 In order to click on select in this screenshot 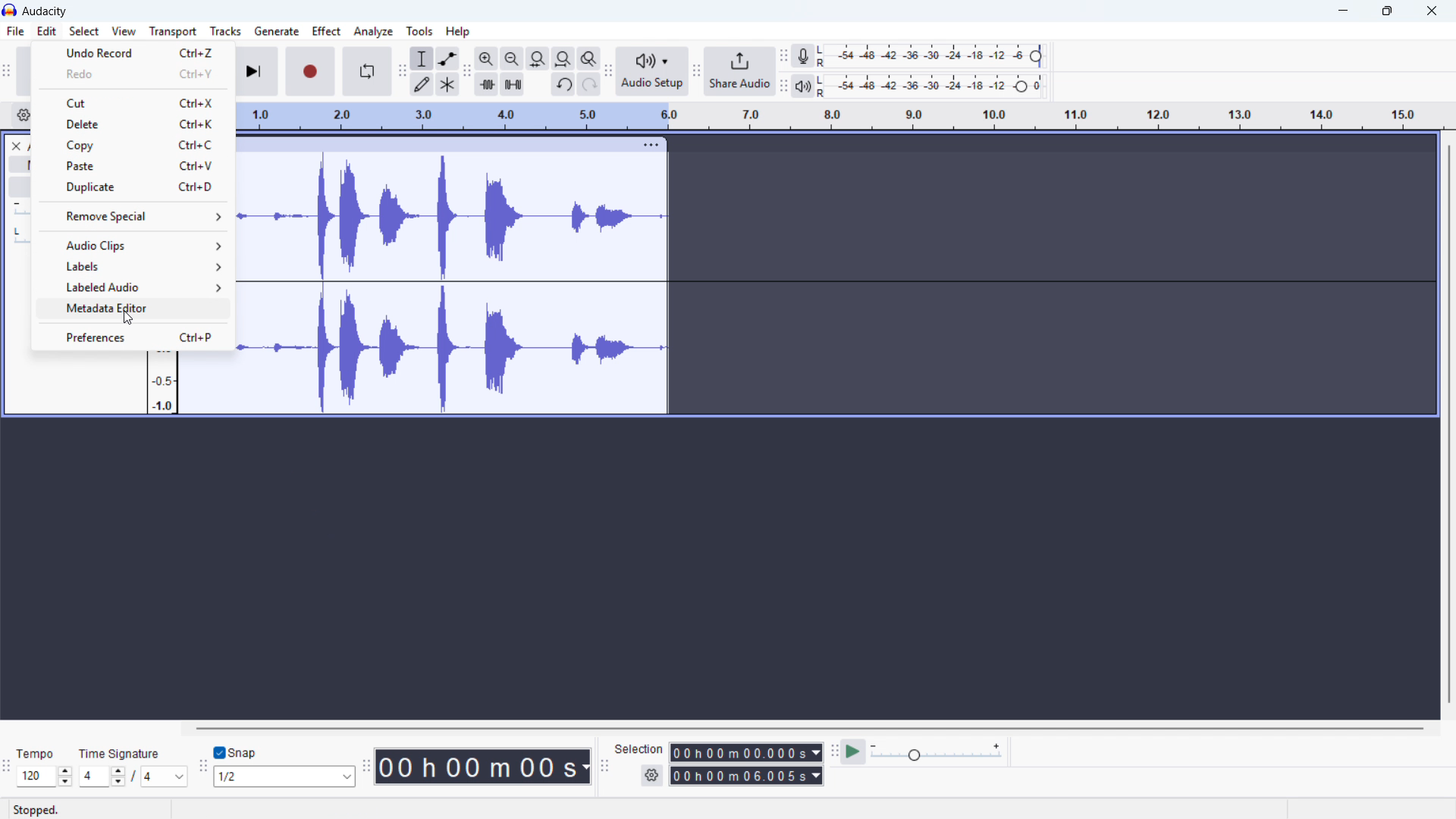, I will do `click(85, 30)`.